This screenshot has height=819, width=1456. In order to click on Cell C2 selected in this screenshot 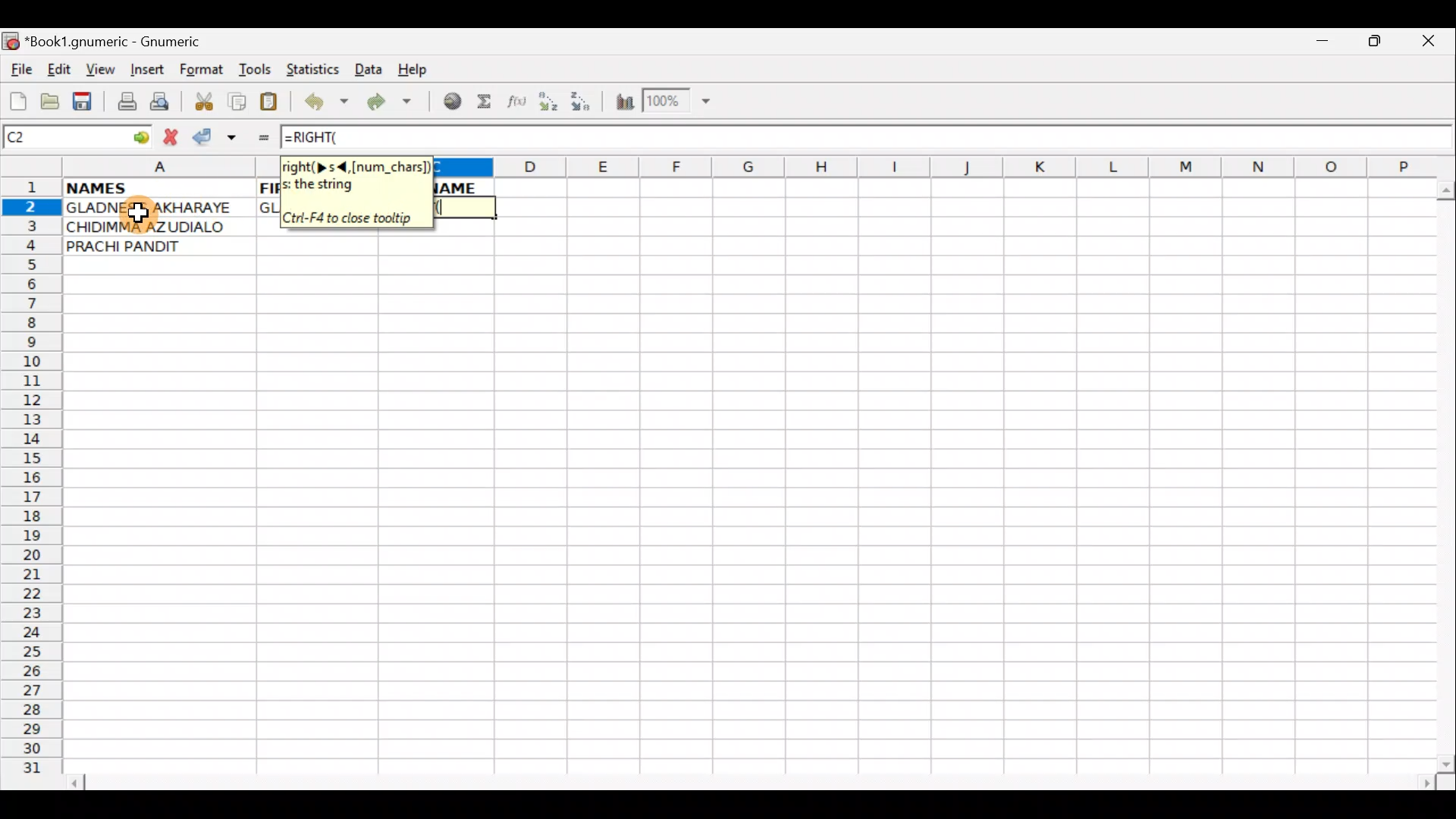, I will do `click(464, 208)`.